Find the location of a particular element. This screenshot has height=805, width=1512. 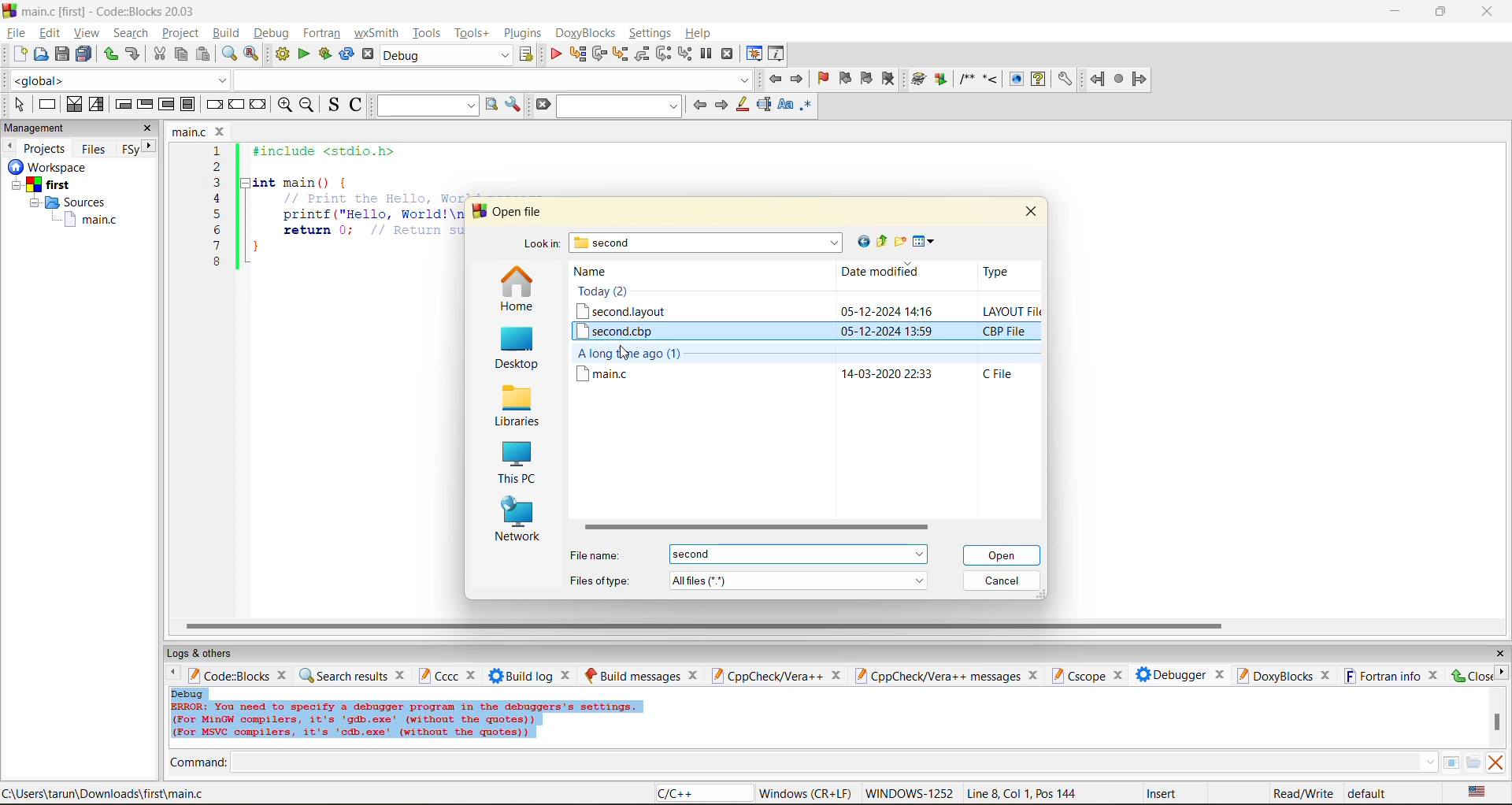

step into is located at coordinates (990, 78).